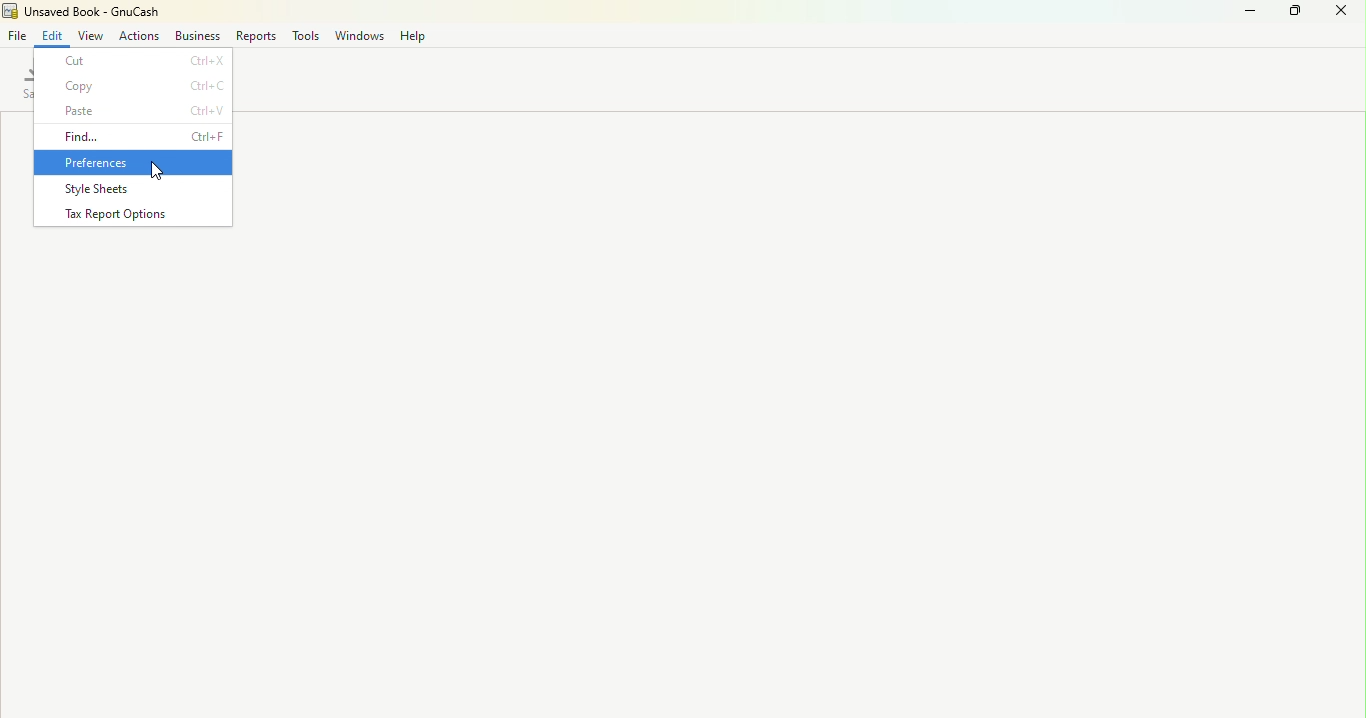 The image size is (1366, 718). Describe the element at coordinates (136, 38) in the screenshot. I see `Actions` at that location.